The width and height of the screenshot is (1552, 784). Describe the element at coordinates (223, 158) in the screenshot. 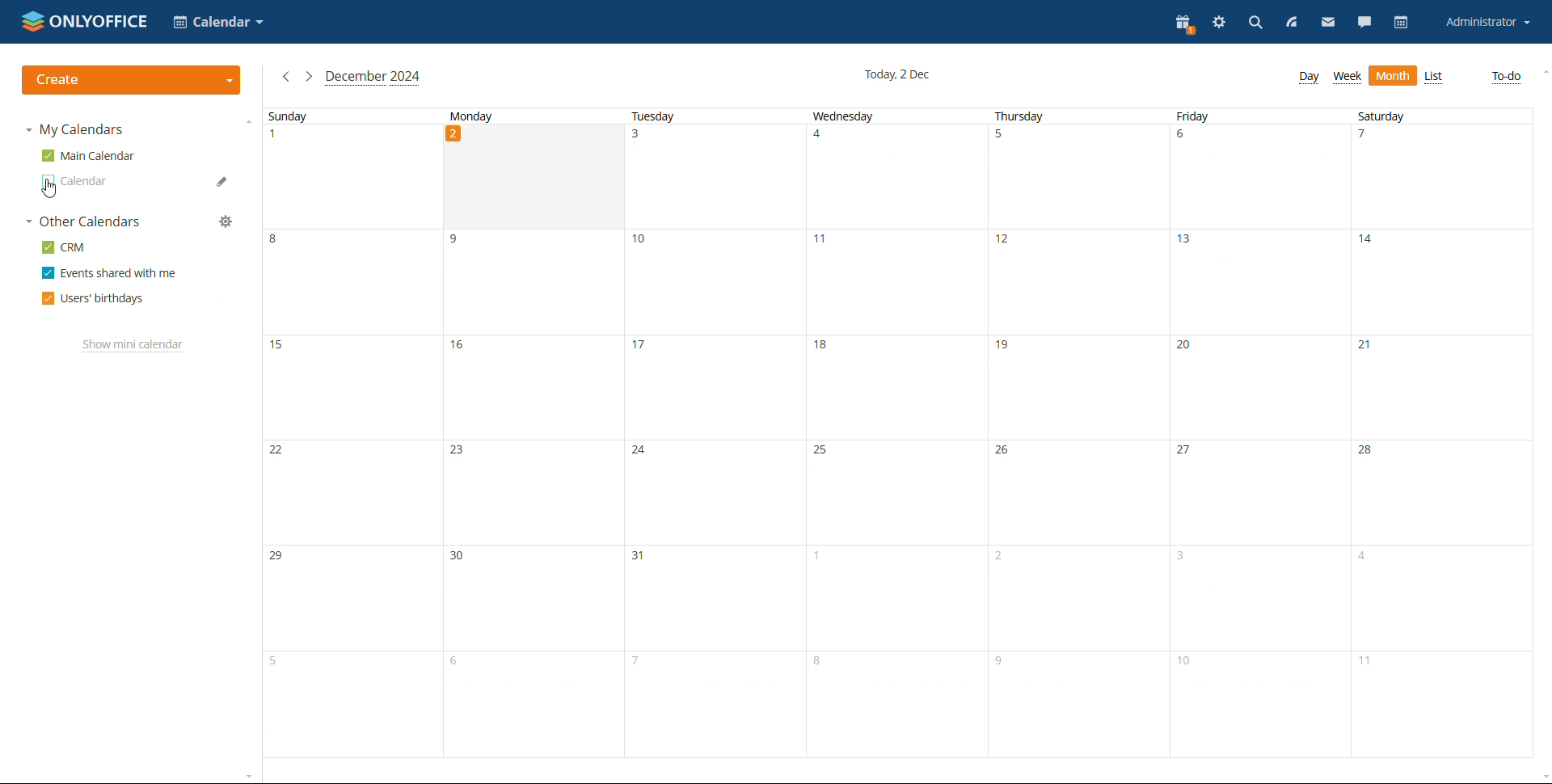

I see `edit` at that location.